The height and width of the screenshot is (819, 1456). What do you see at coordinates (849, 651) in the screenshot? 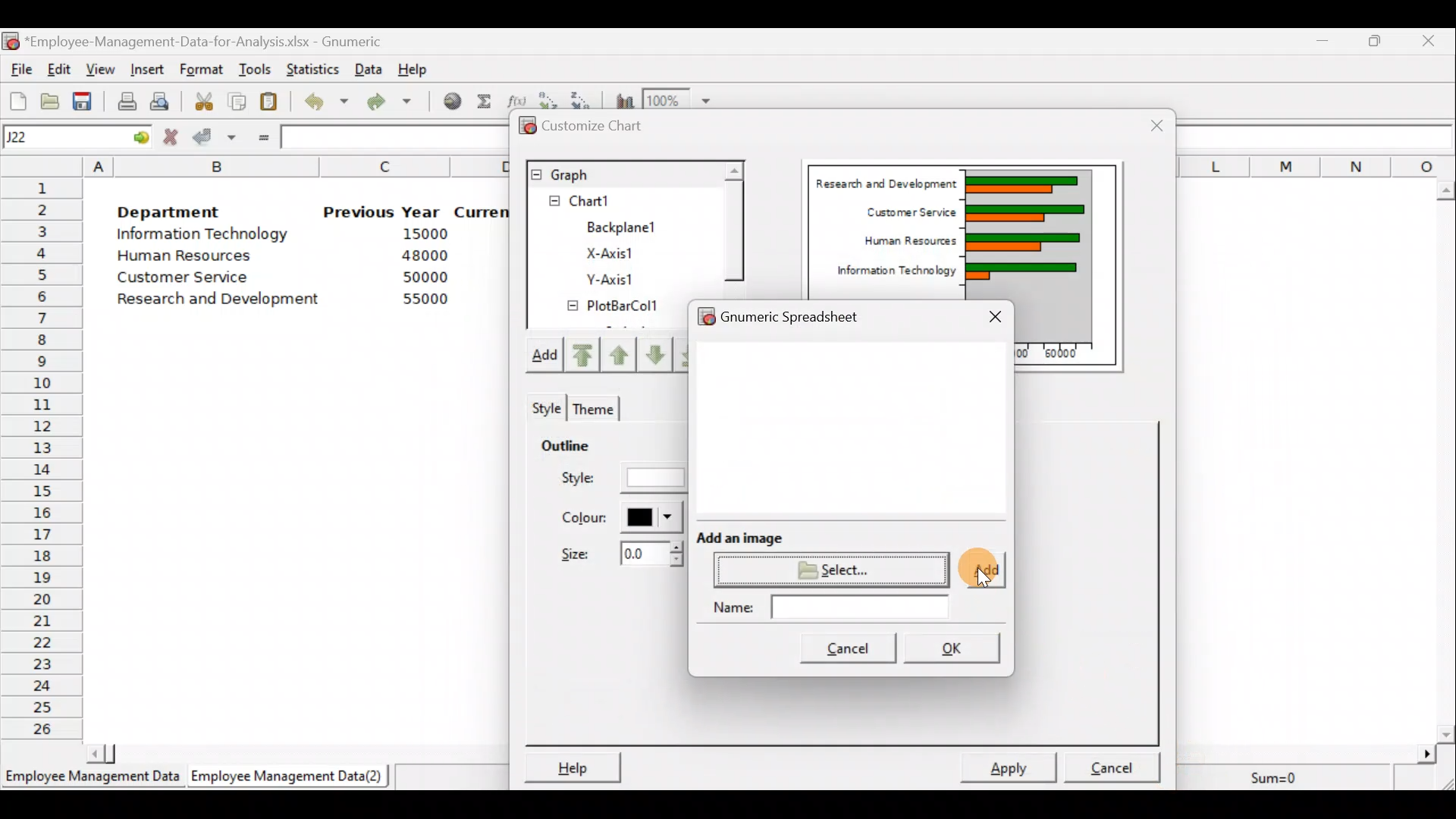
I see `Cancel` at bounding box center [849, 651].